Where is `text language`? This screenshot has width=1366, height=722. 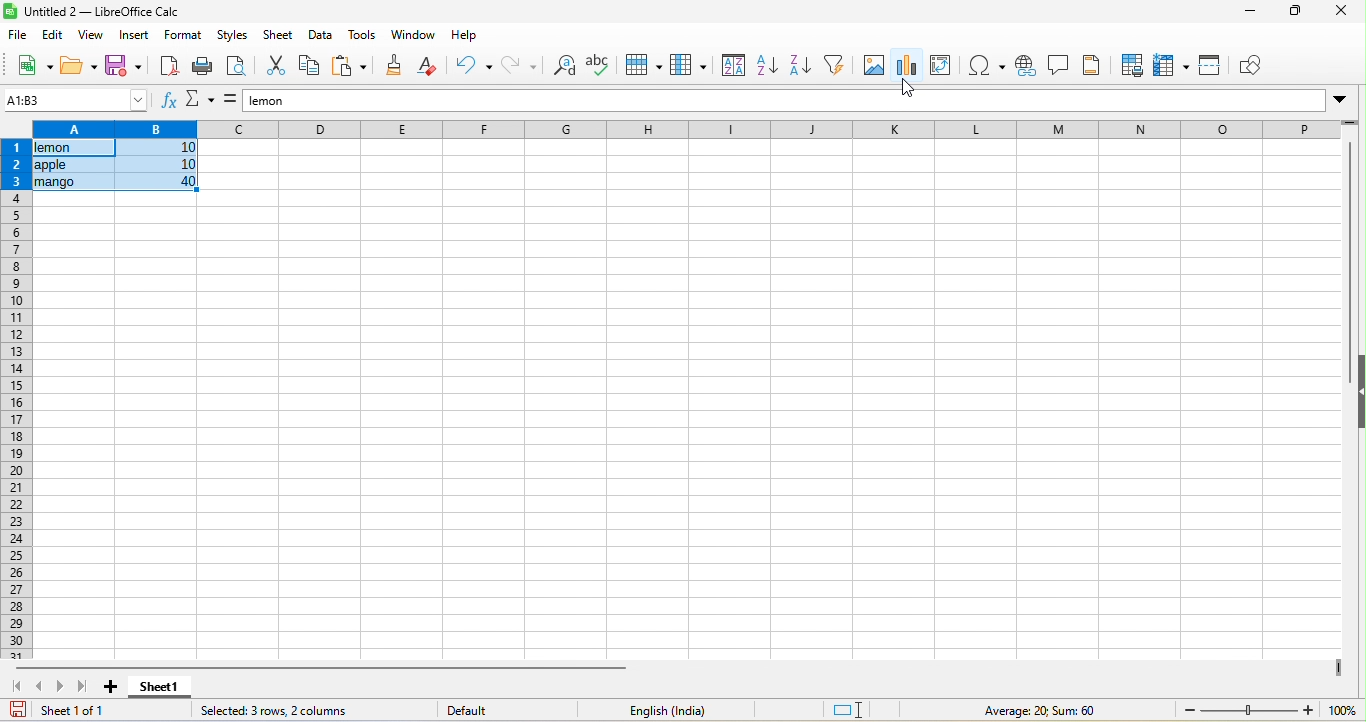 text language is located at coordinates (639, 710).